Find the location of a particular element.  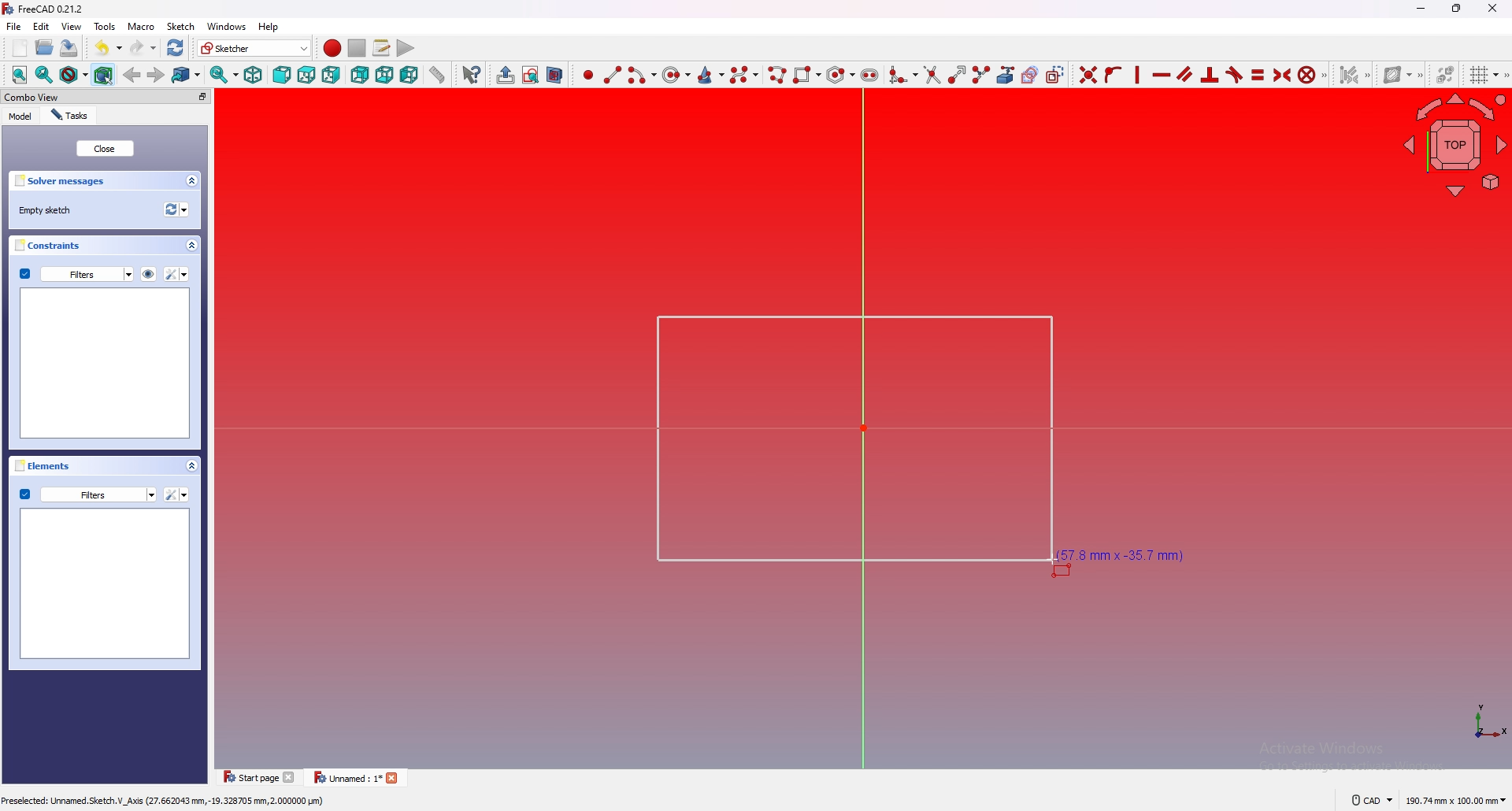

save is located at coordinates (70, 49).